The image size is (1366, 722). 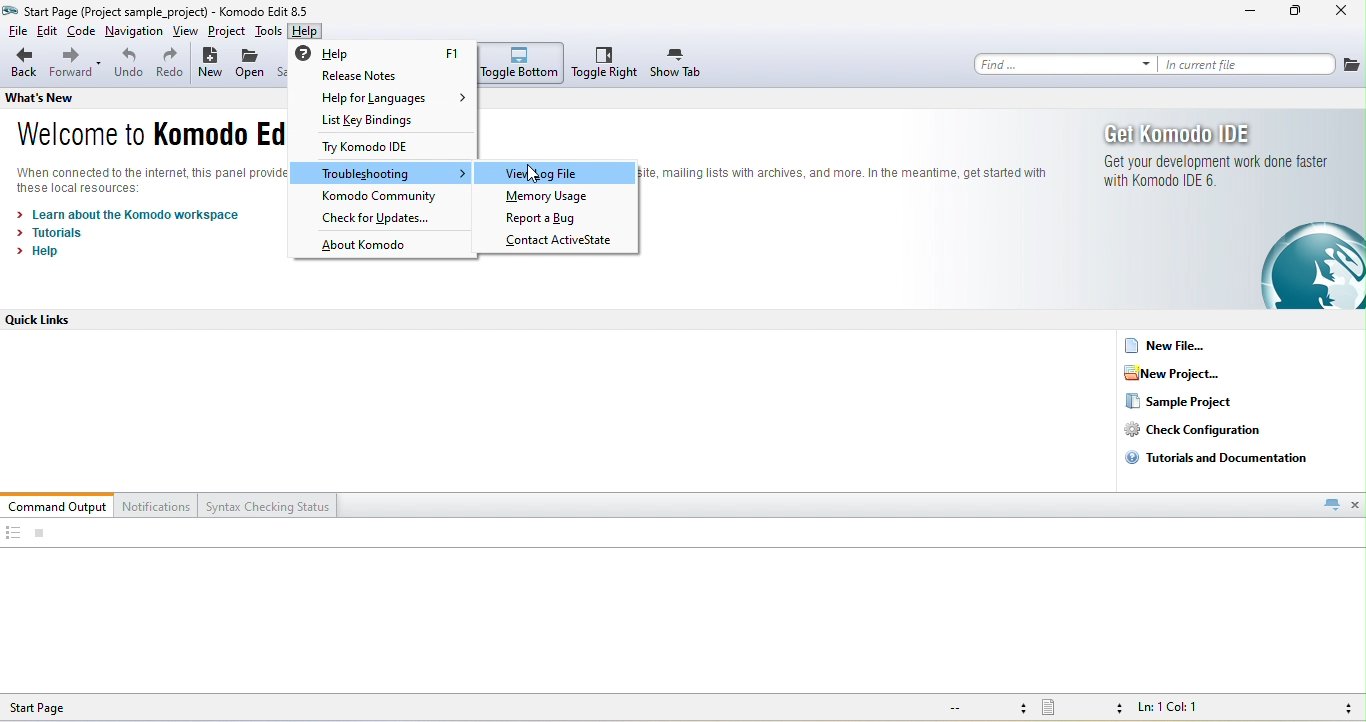 I want to click on minimize, so click(x=1250, y=13).